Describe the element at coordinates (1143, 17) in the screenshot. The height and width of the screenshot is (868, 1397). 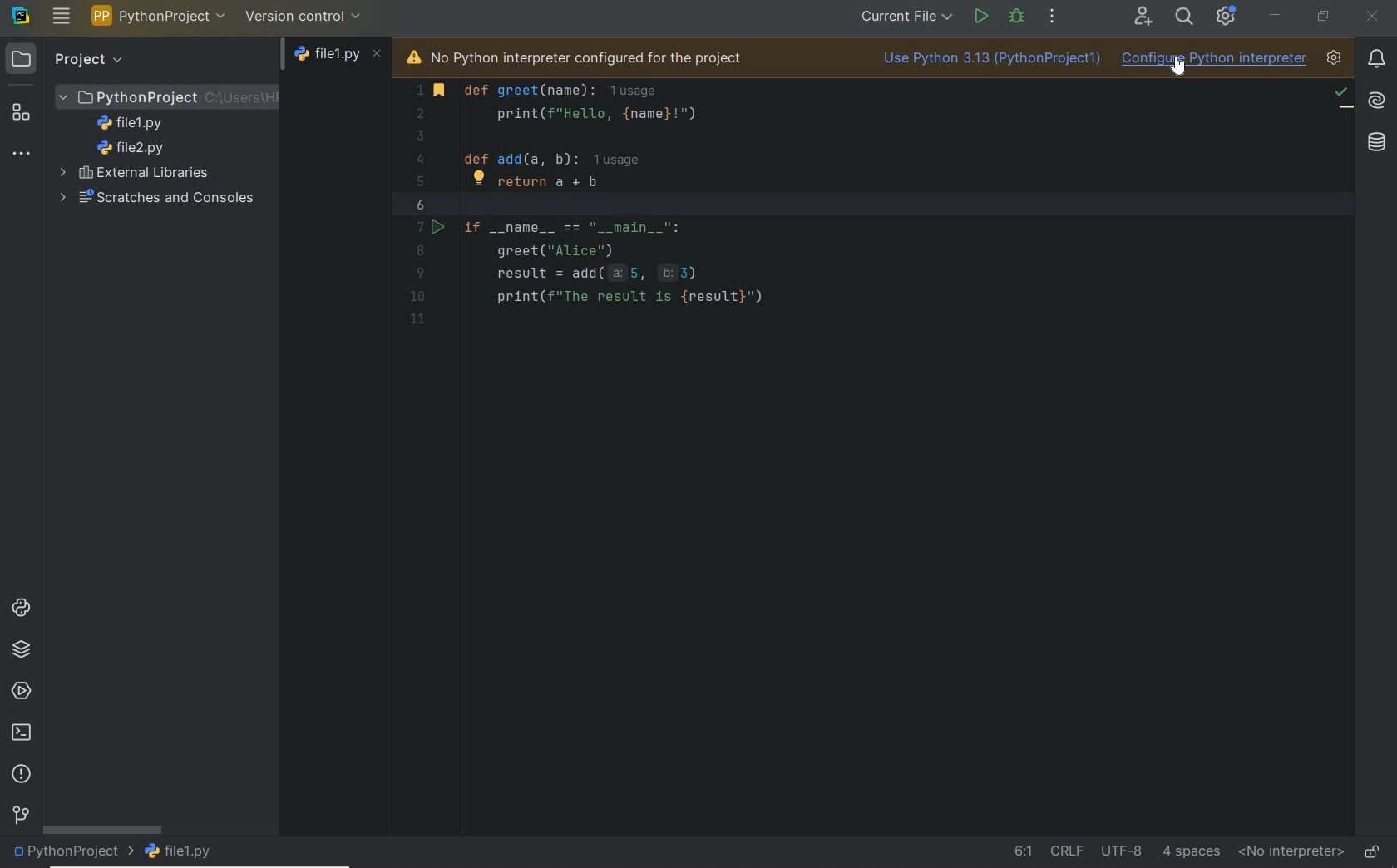
I see `code with me` at that location.